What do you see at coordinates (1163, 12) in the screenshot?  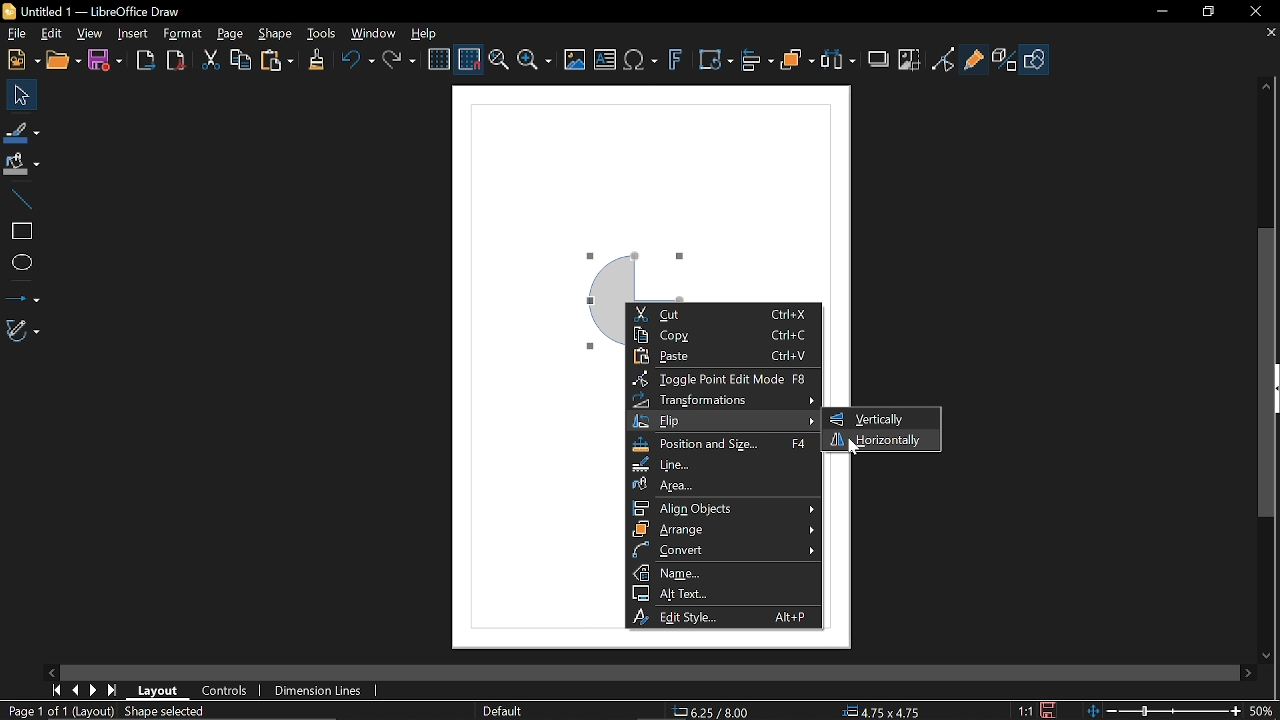 I see `Minimize` at bounding box center [1163, 12].